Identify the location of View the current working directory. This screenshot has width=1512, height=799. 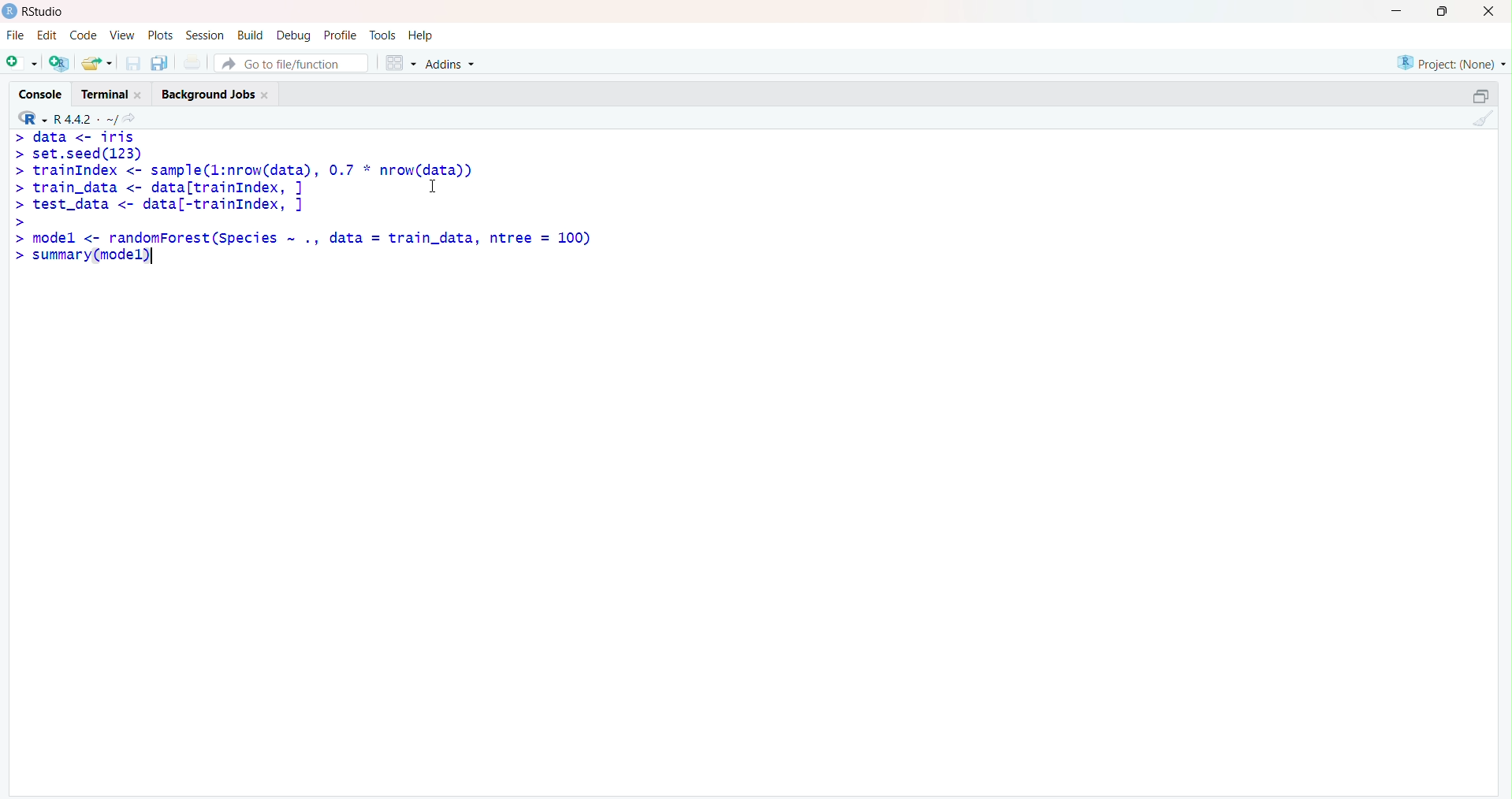
(136, 117).